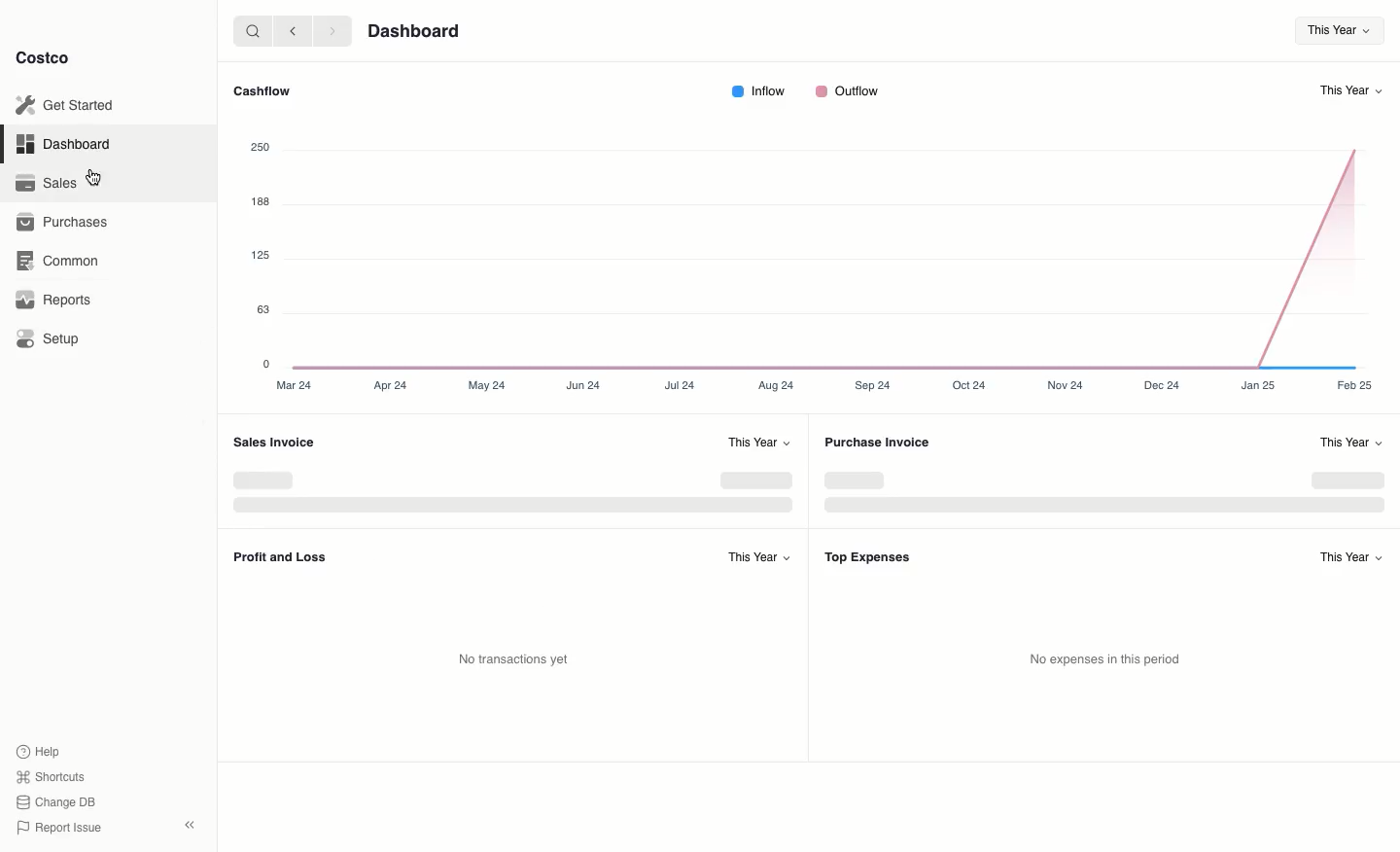 This screenshot has width=1400, height=852. I want to click on Profit and Loss, so click(280, 558).